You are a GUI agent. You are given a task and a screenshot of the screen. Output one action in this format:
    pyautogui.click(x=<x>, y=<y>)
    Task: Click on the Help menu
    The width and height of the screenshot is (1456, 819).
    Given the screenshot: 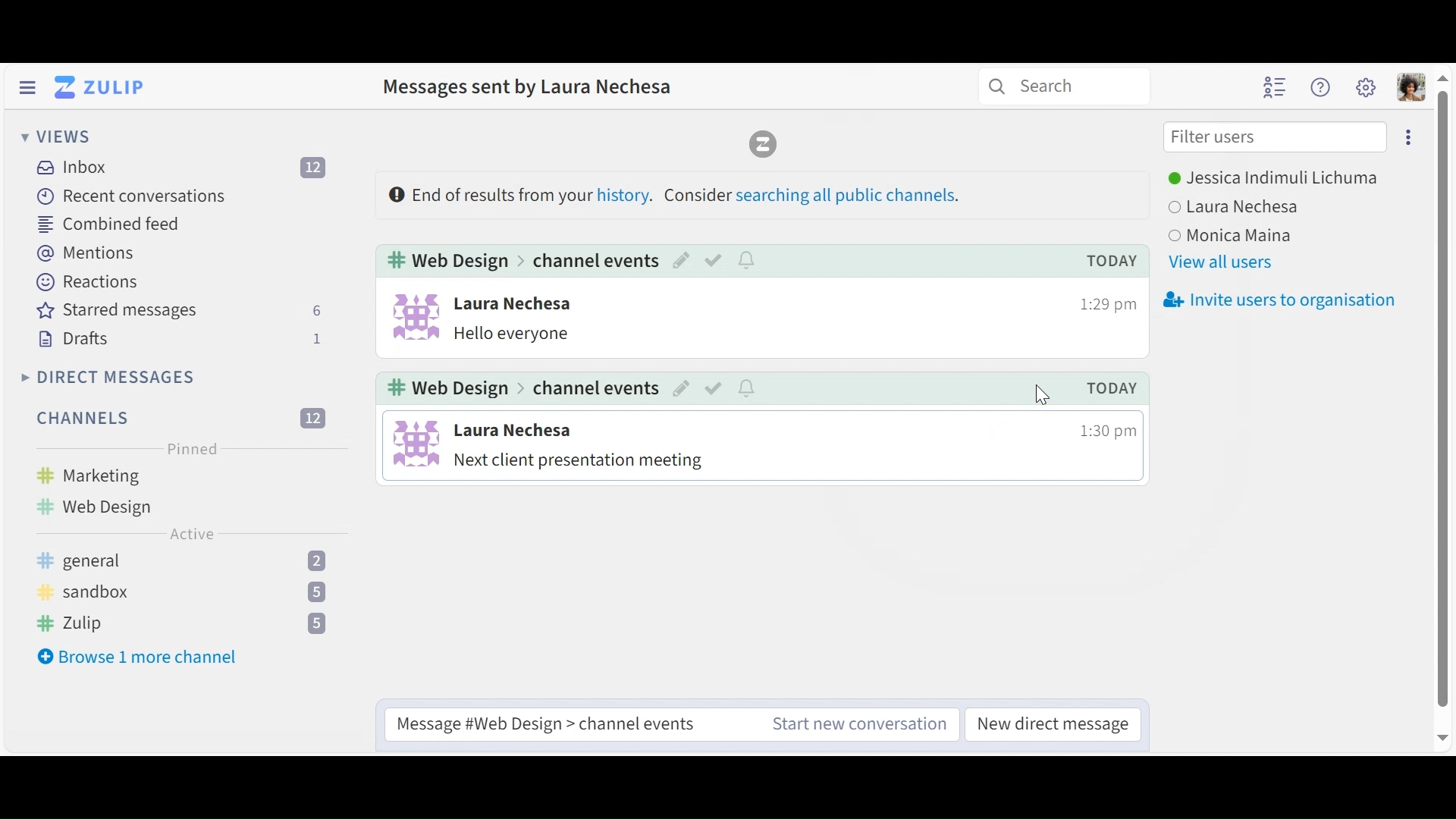 What is the action you would take?
    pyautogui.click(x=1320, y=88)
    